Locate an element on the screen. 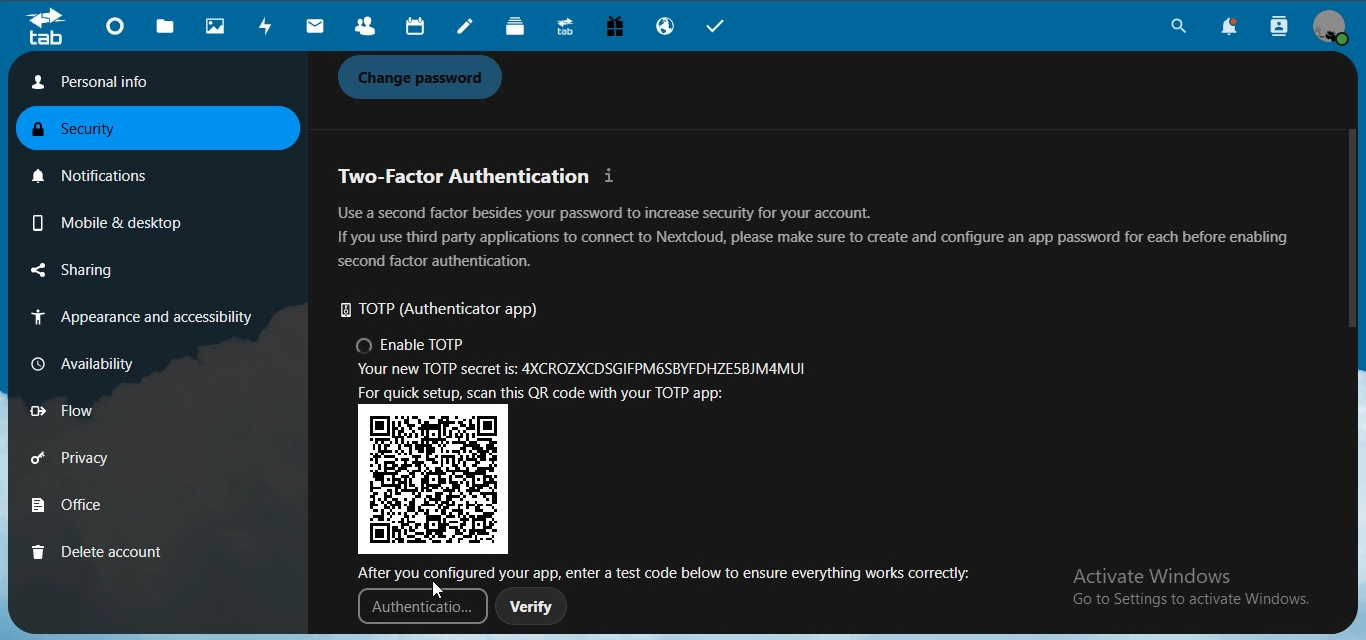  office is located at coordinates (97, 507).